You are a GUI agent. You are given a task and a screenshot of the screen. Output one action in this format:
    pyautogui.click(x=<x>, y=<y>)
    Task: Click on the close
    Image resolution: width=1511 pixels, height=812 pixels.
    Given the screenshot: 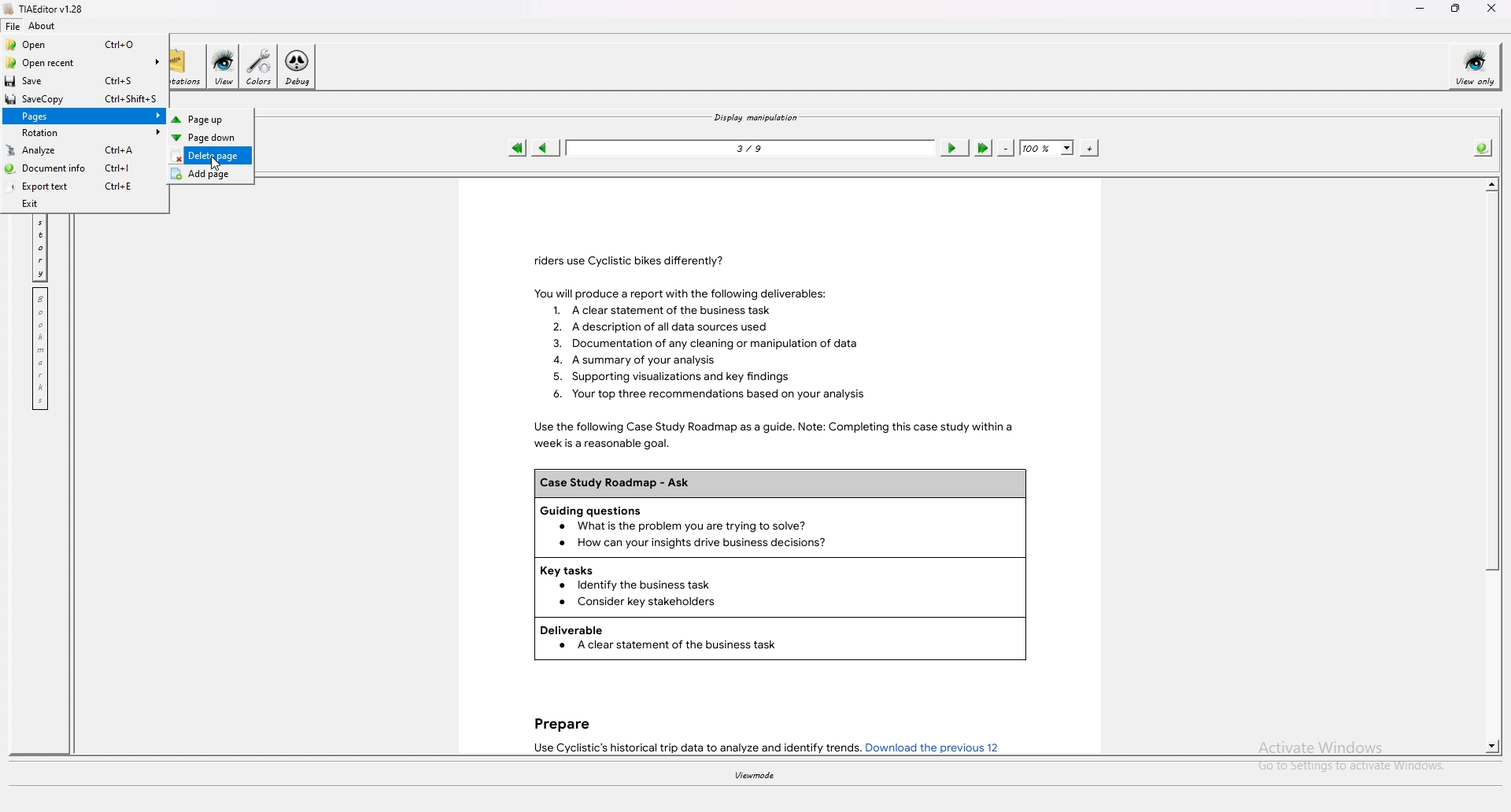 What is the action you would take?
    pyautogui.click(x=1492, y=9)
    